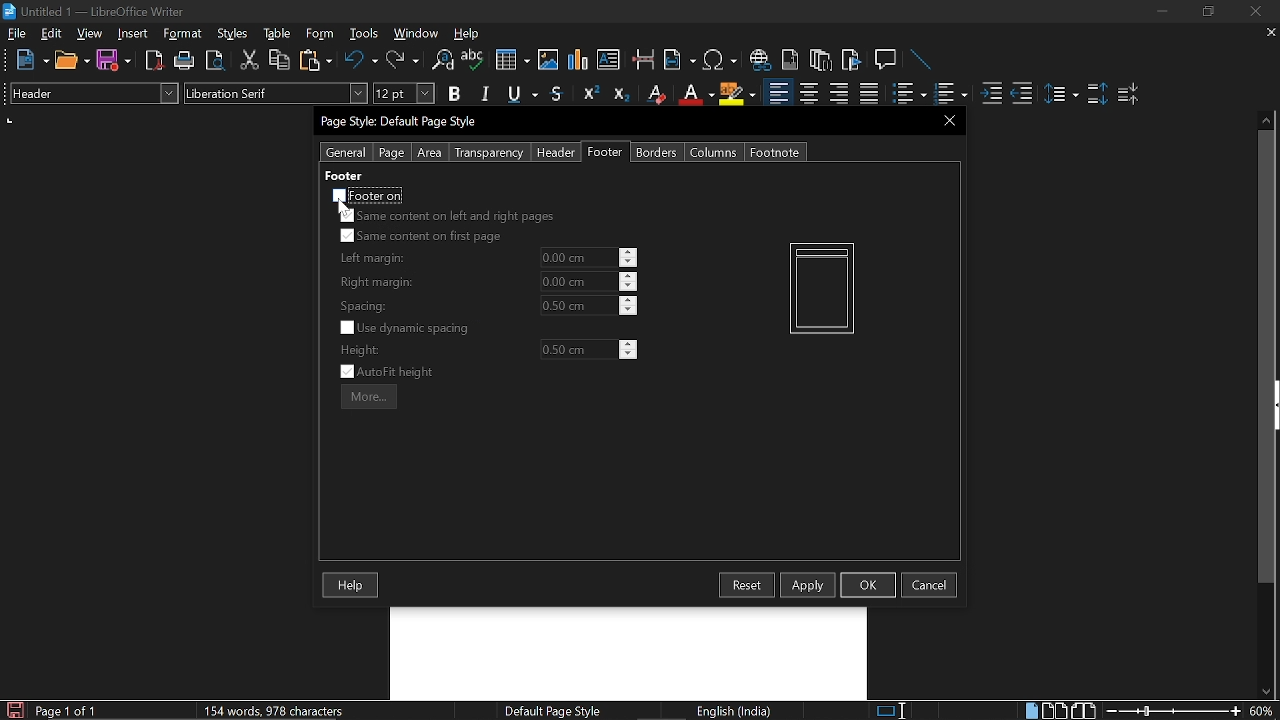 The width and height of the screenshot is (1280, 720). What do you see at coordinates (578, 60) in the screenshot?
I see `insert diagram` at bounding box center [578, 60].